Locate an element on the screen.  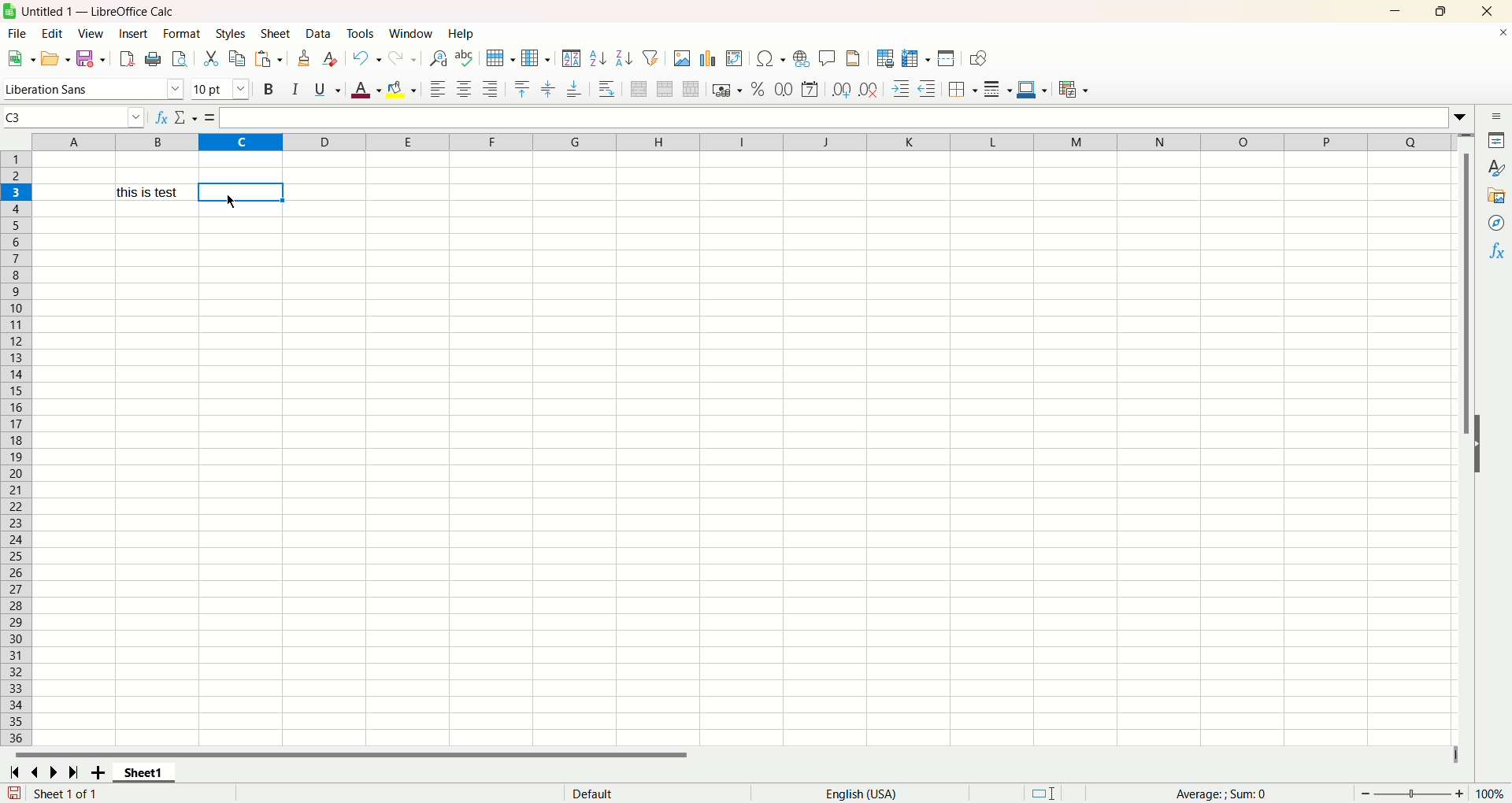
freeze rows and columns is located at coordinates (914, 57).